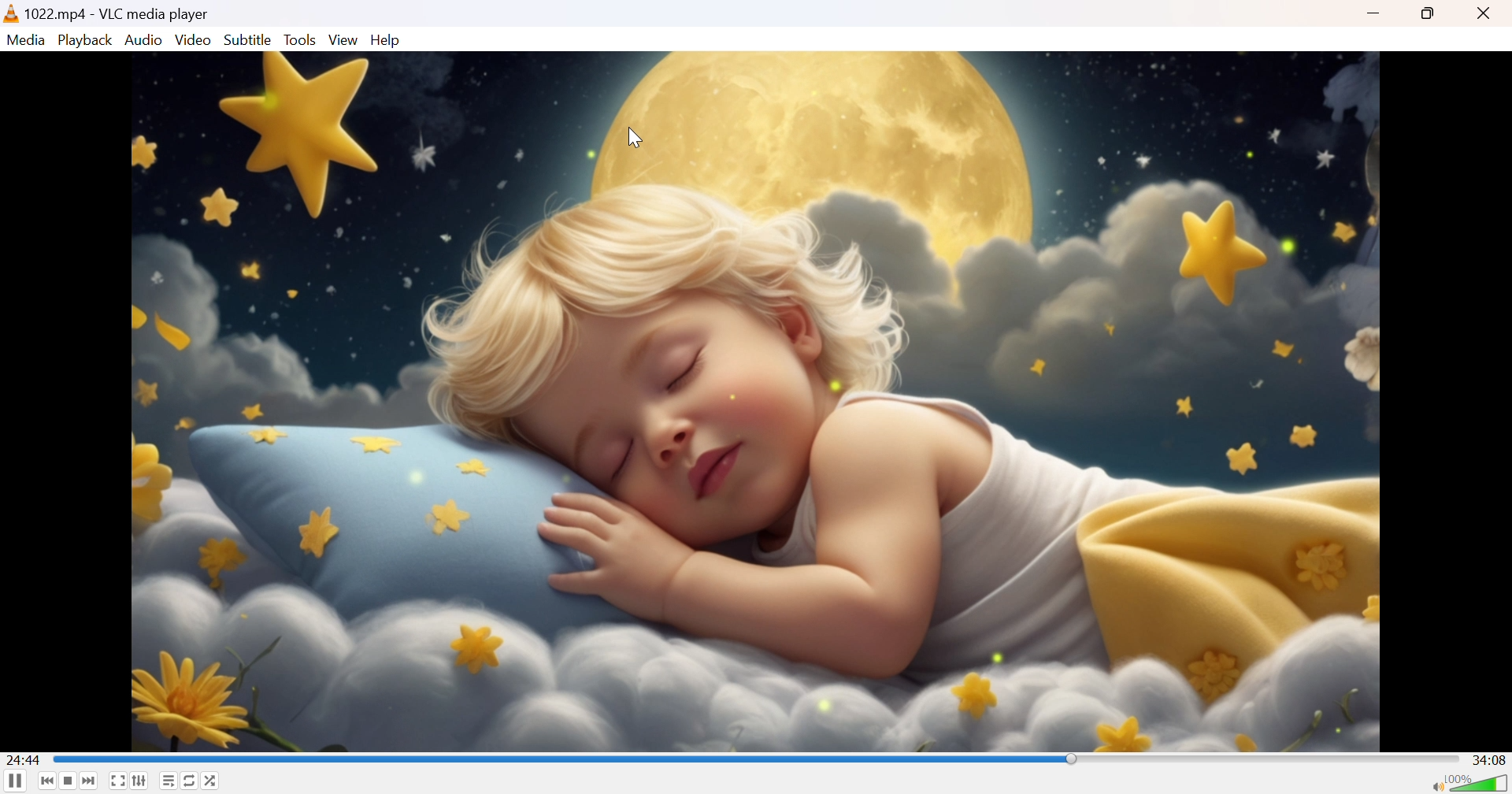  Describe the element at coordinates (46, 781) in the screenshot. I see `Previous media in the playlist, skip backward when held` at that location.